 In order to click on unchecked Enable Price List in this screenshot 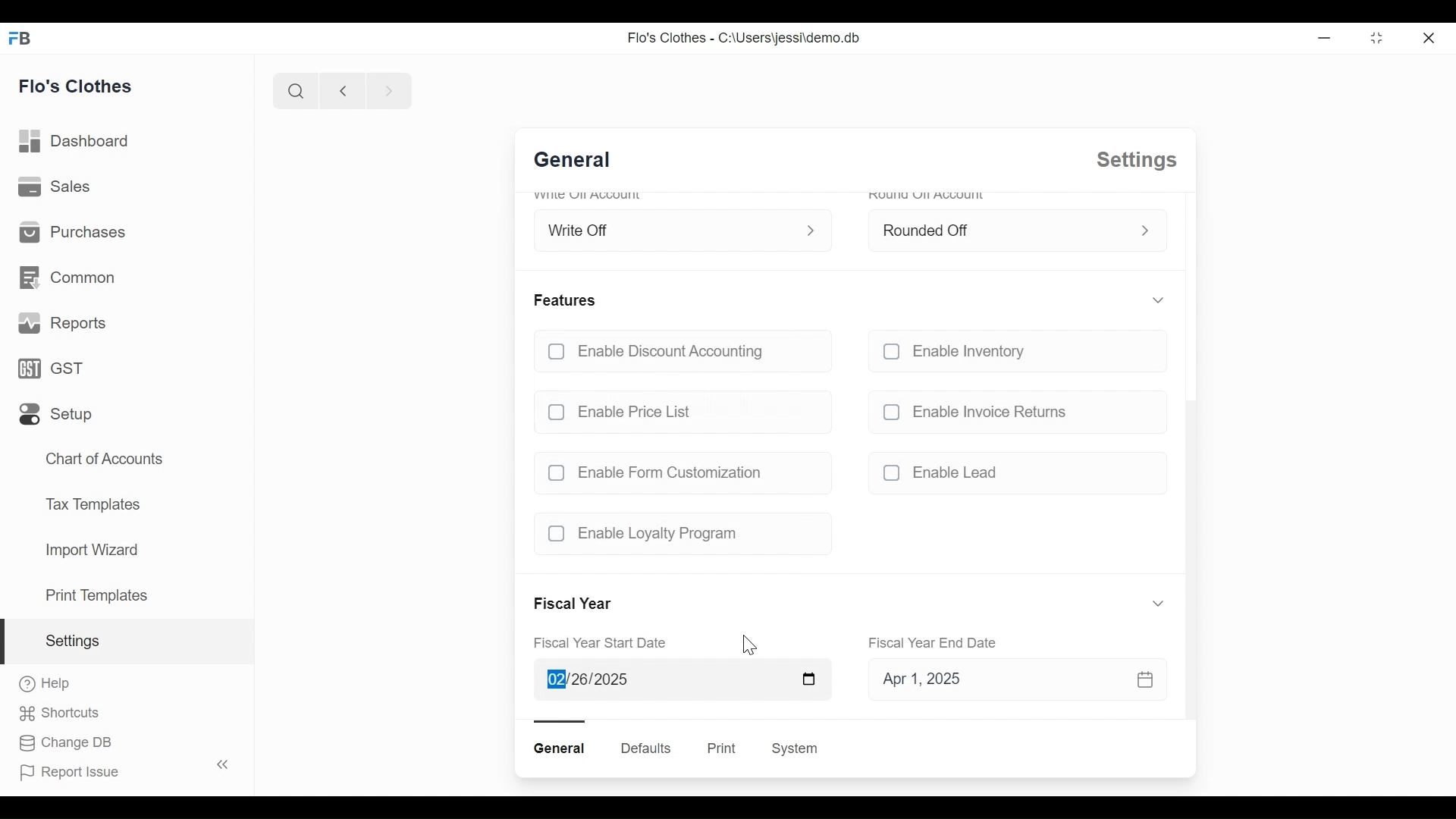, I will do `click(681, 408)`.